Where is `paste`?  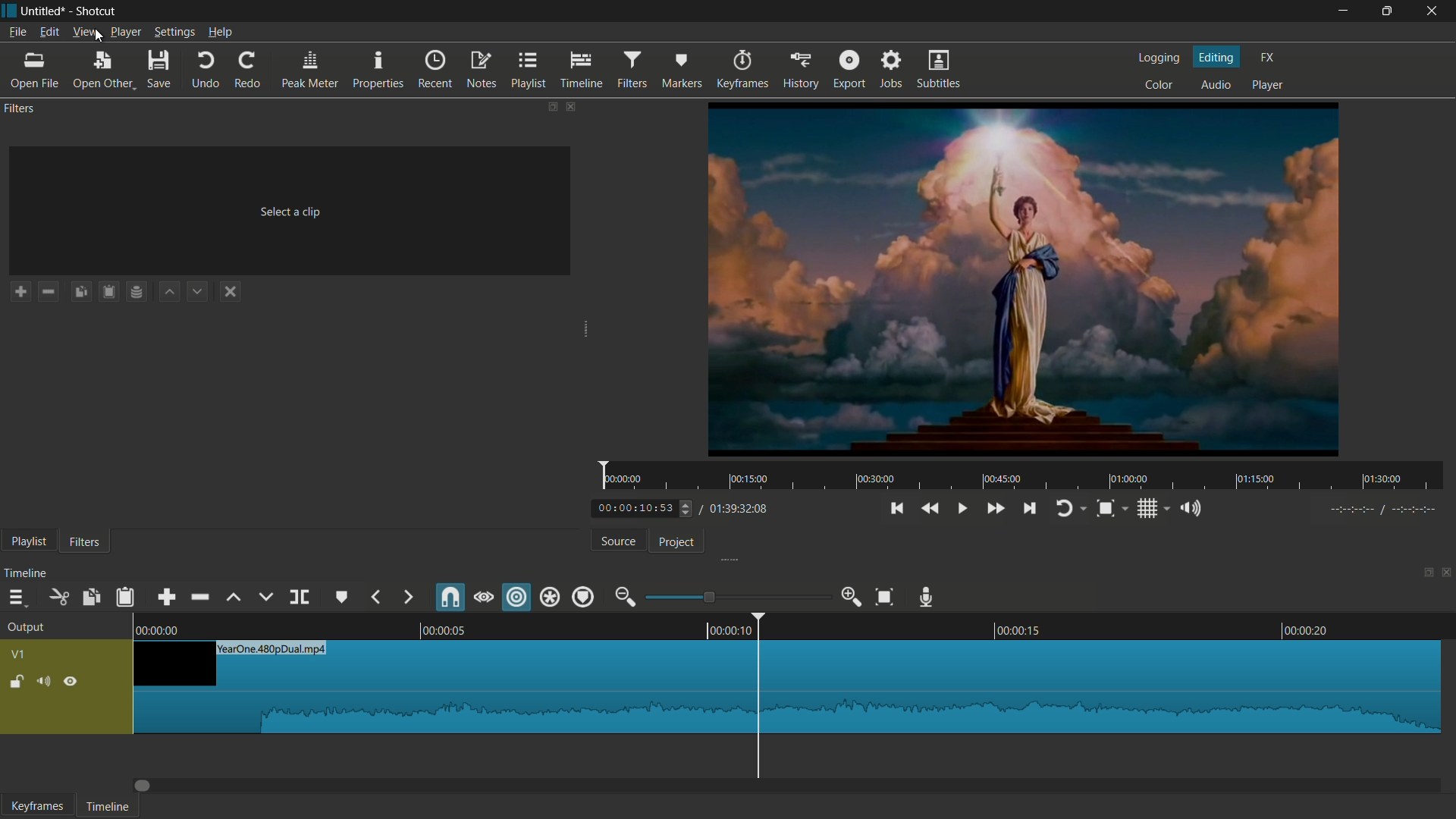
paste is located at coordinates (124, 596).